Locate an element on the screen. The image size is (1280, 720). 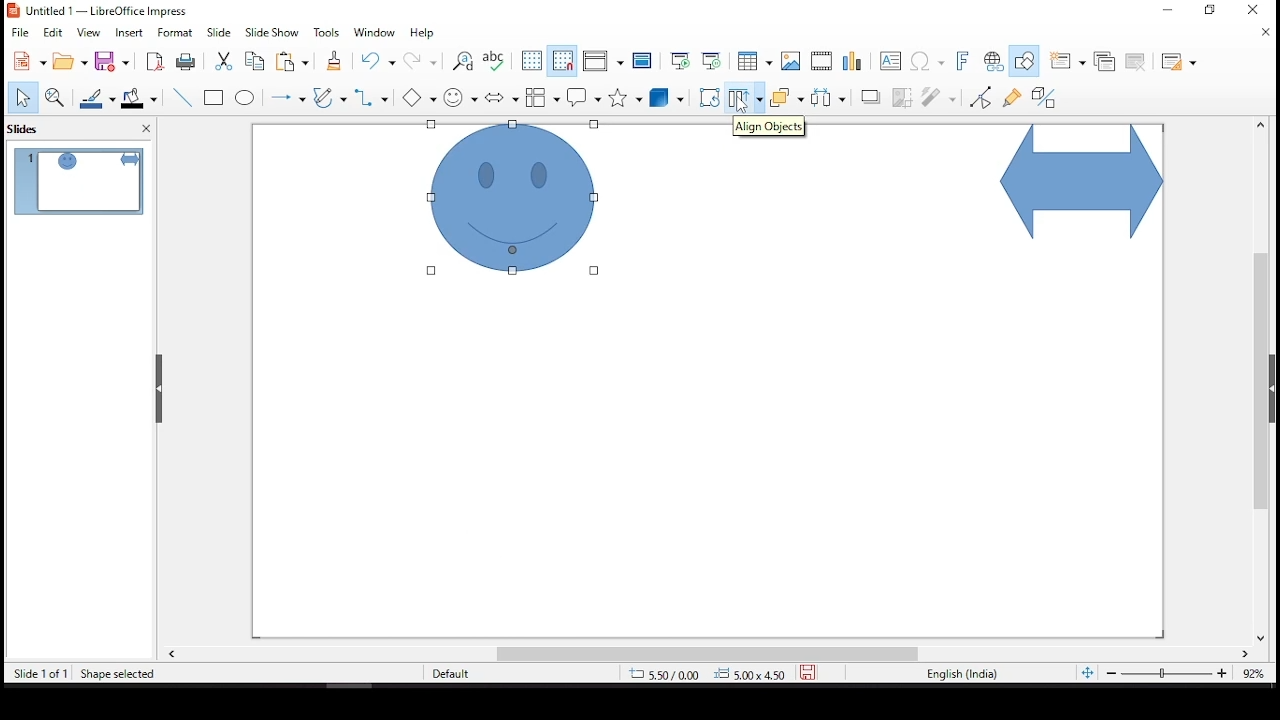
toggle extrusion is located at coordinates (1043, 99).